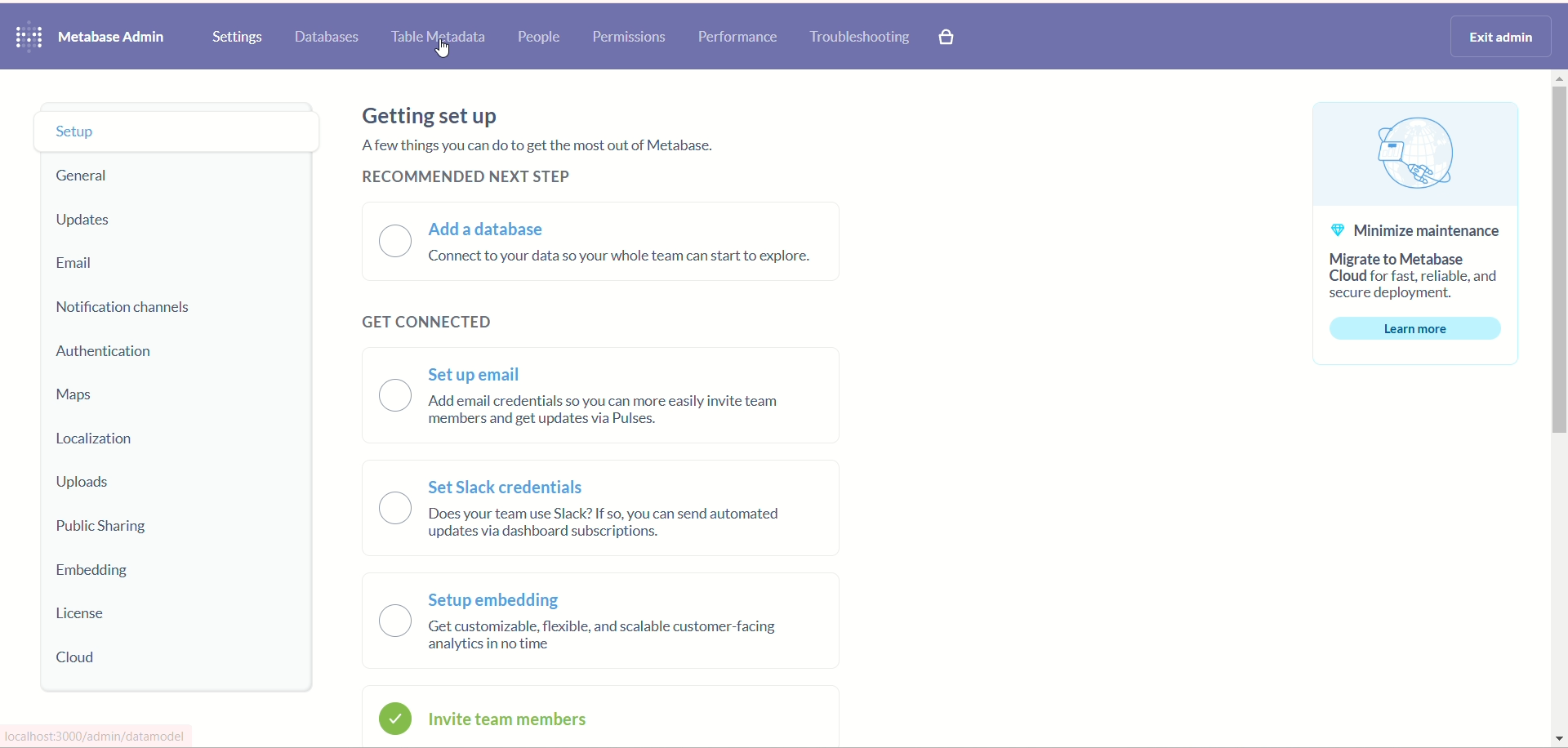 This screenshot has height=748, width=1568. What do you see at coordinates (396, 510) in the screenshot?
I see `toggle button` at bounding box center [396, 510].